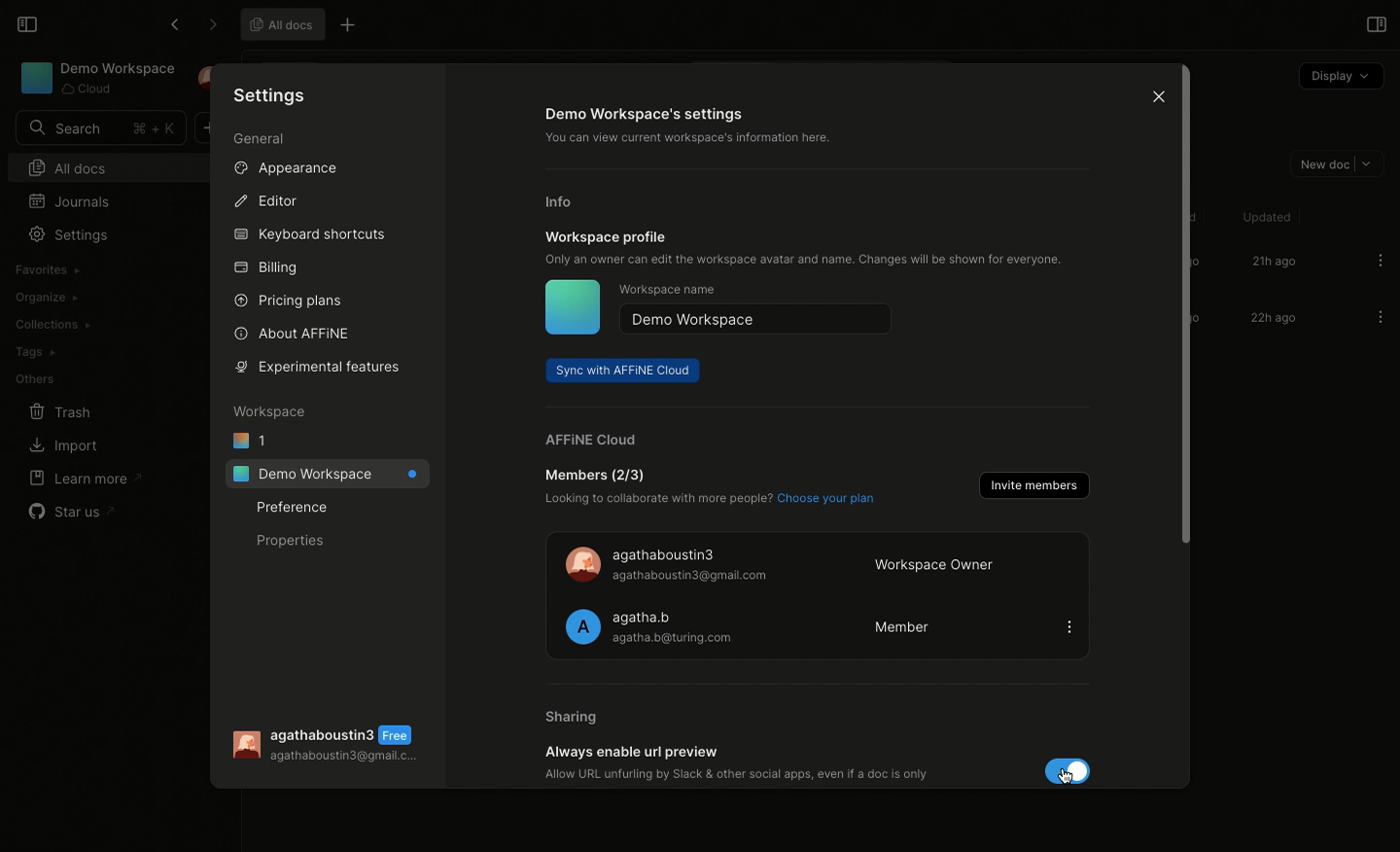 The width and height of the screenshot is (1400, 852). What do you see at coordinates (74, 512) in the screenshot?
I see `Star us` at bounding box center [74, 512].